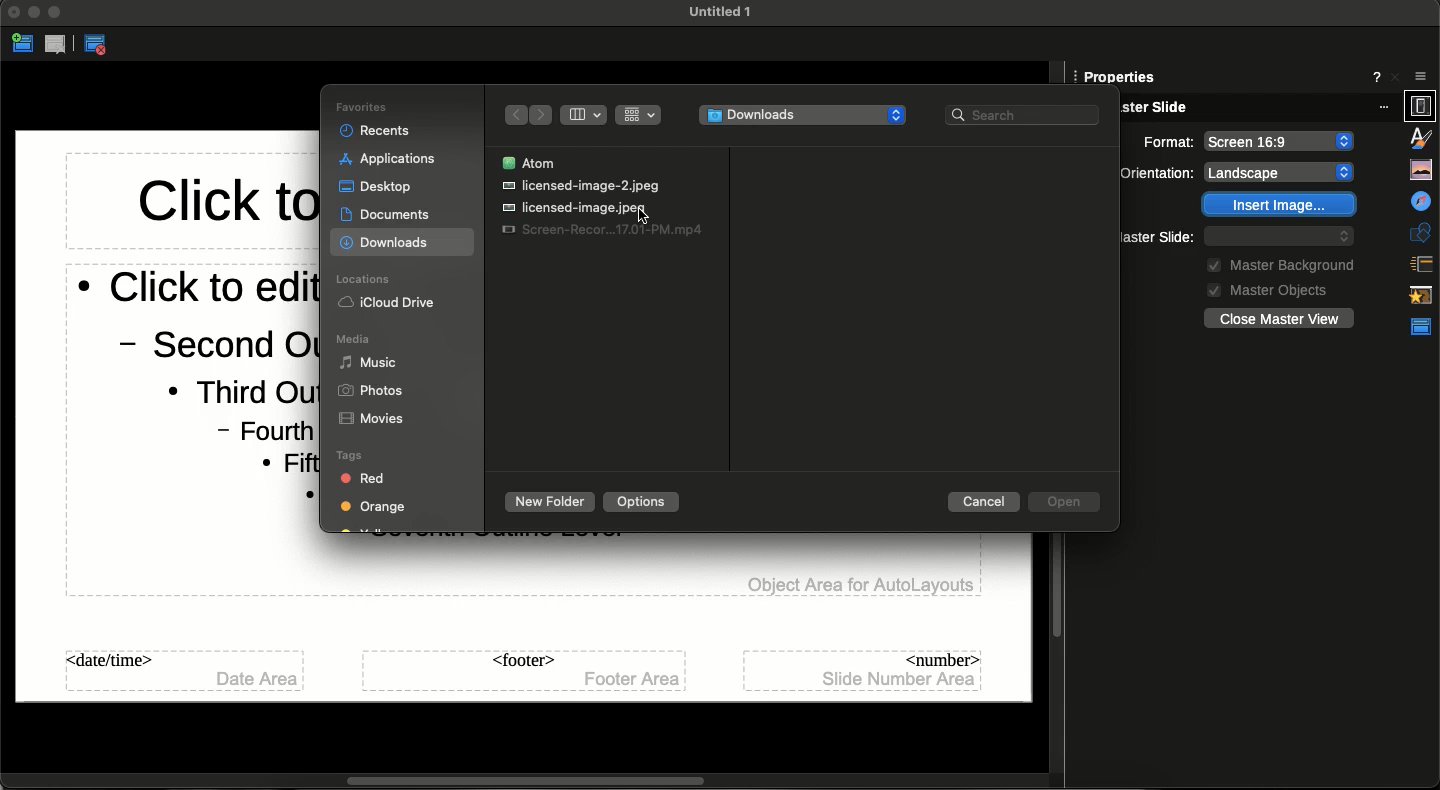 The width and height of the screenshot is (1440, 790). Describe the element at coordinates (379, 186) in the screenshot. I see `Desktop` at that location.